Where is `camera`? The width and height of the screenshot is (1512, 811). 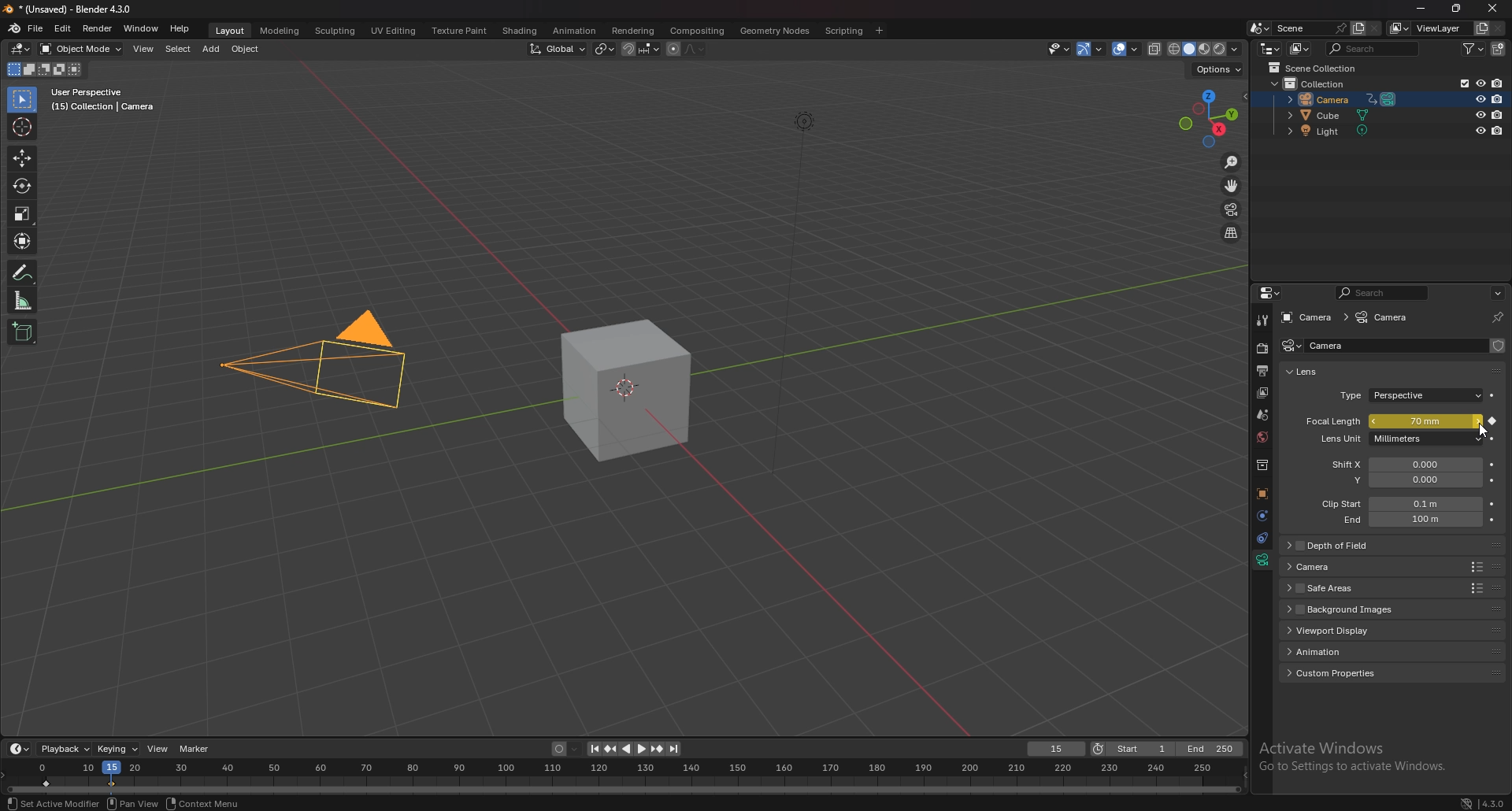 camera is located at coordinates (1291, 346).